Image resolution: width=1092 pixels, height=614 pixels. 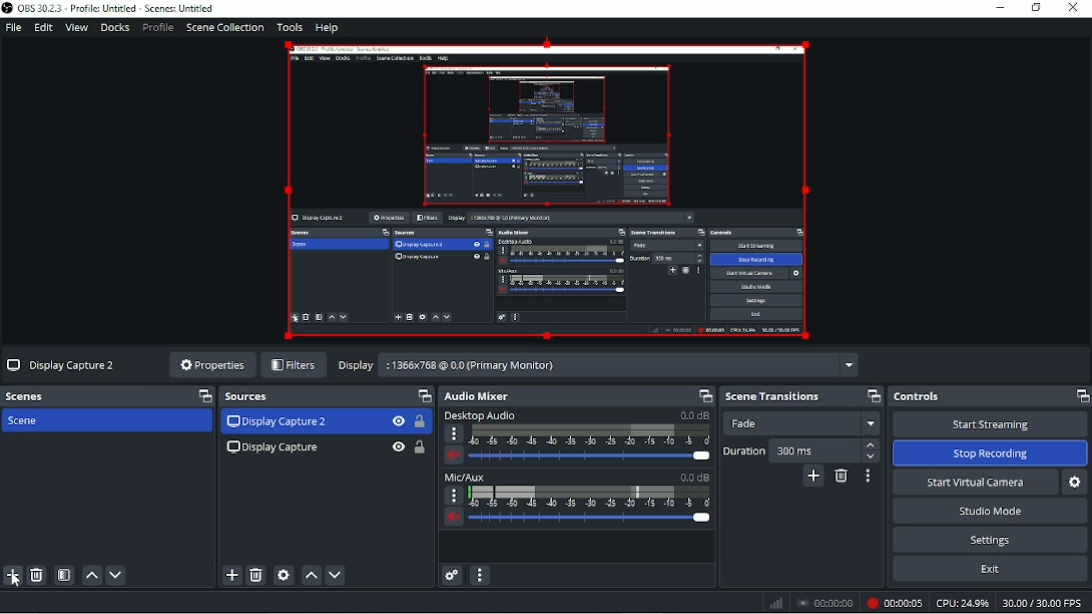 I want to click on Move scene down, so click(x=115, y=575).